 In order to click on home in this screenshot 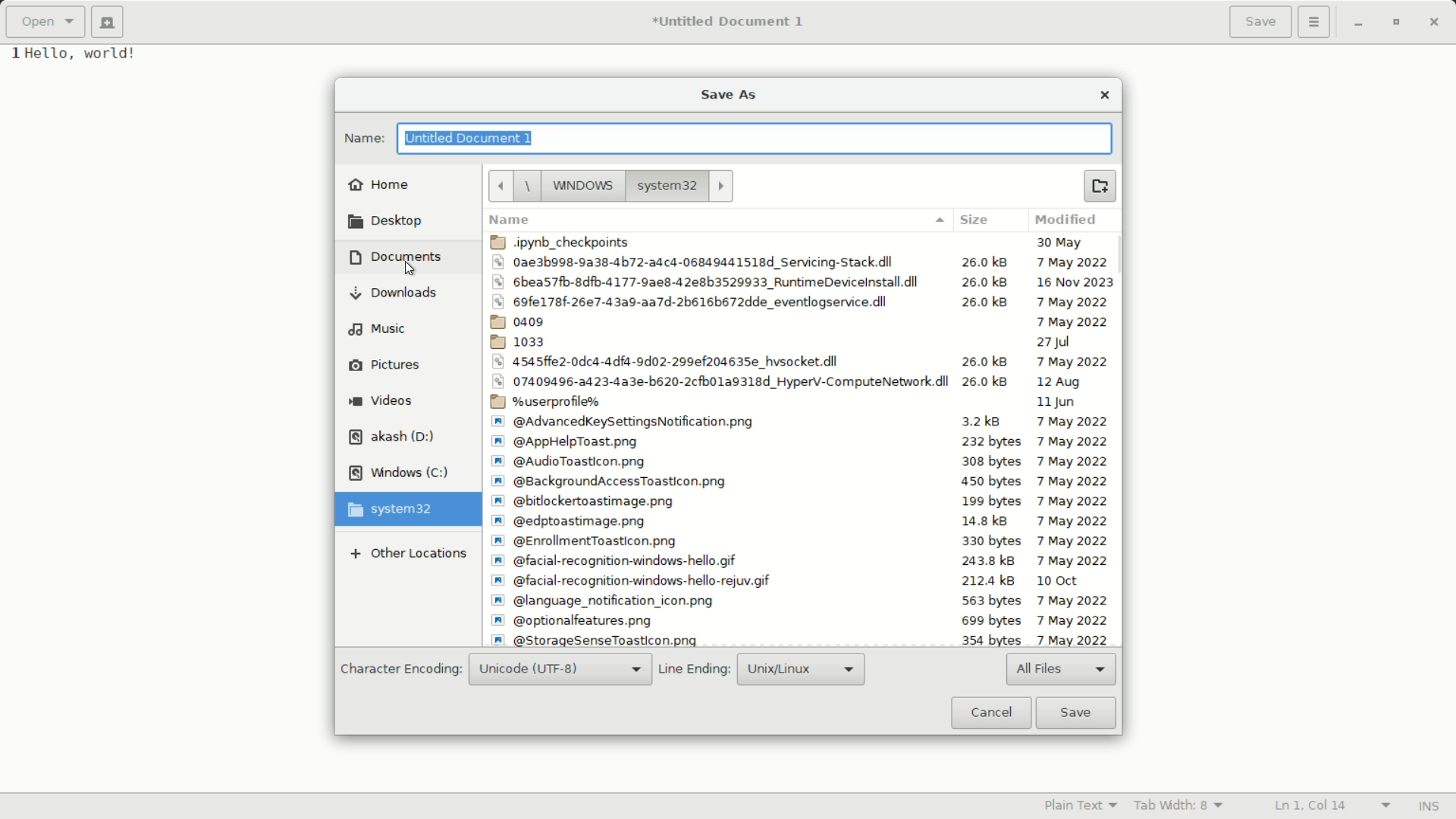, I will do `click(380, 184)`.